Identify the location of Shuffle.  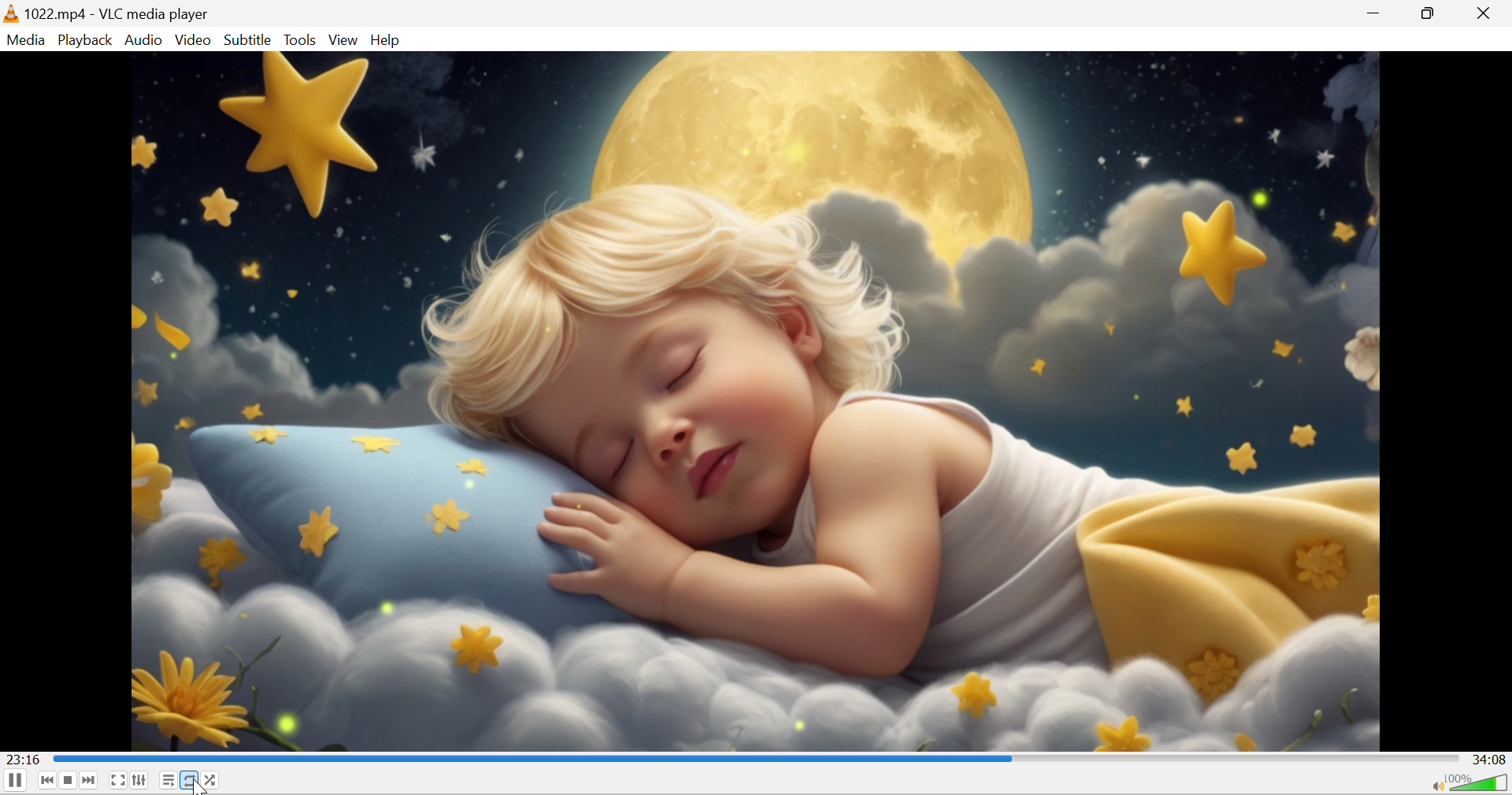
(213, 780).